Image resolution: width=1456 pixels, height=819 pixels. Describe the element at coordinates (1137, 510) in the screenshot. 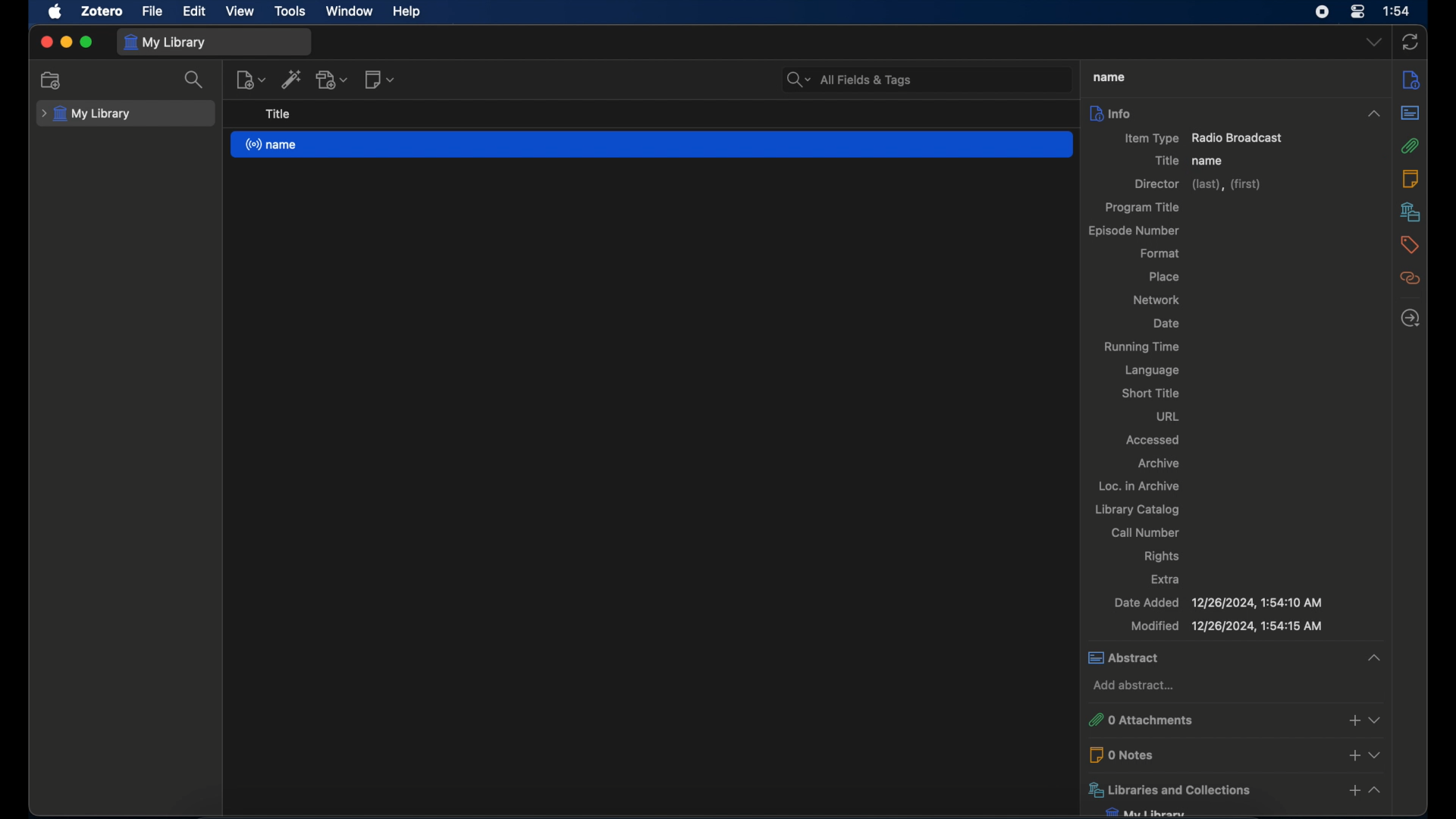

I see `library catalog` at that location.